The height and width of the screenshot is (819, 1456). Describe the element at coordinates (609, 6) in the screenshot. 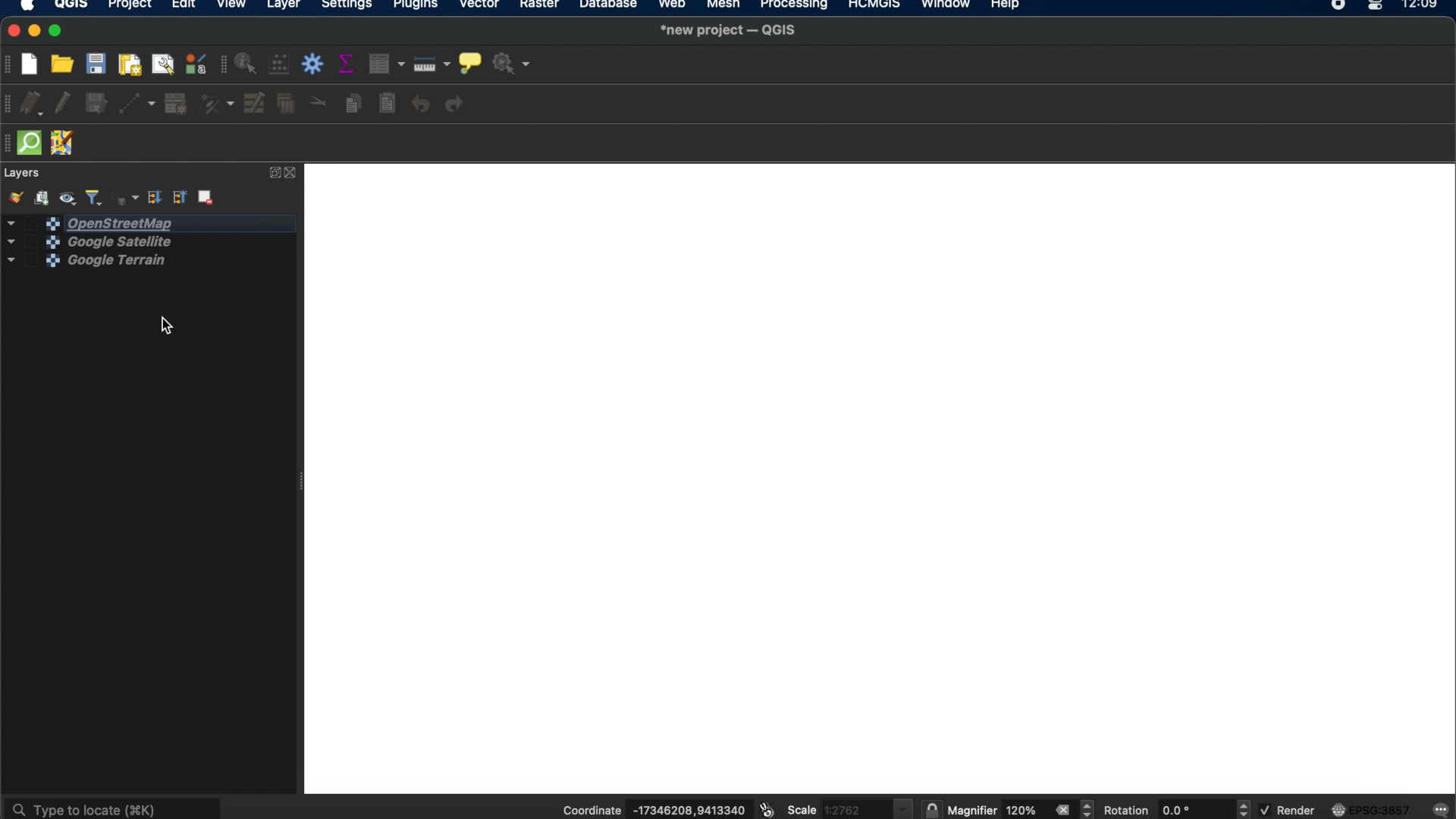

I see `database` at that location.